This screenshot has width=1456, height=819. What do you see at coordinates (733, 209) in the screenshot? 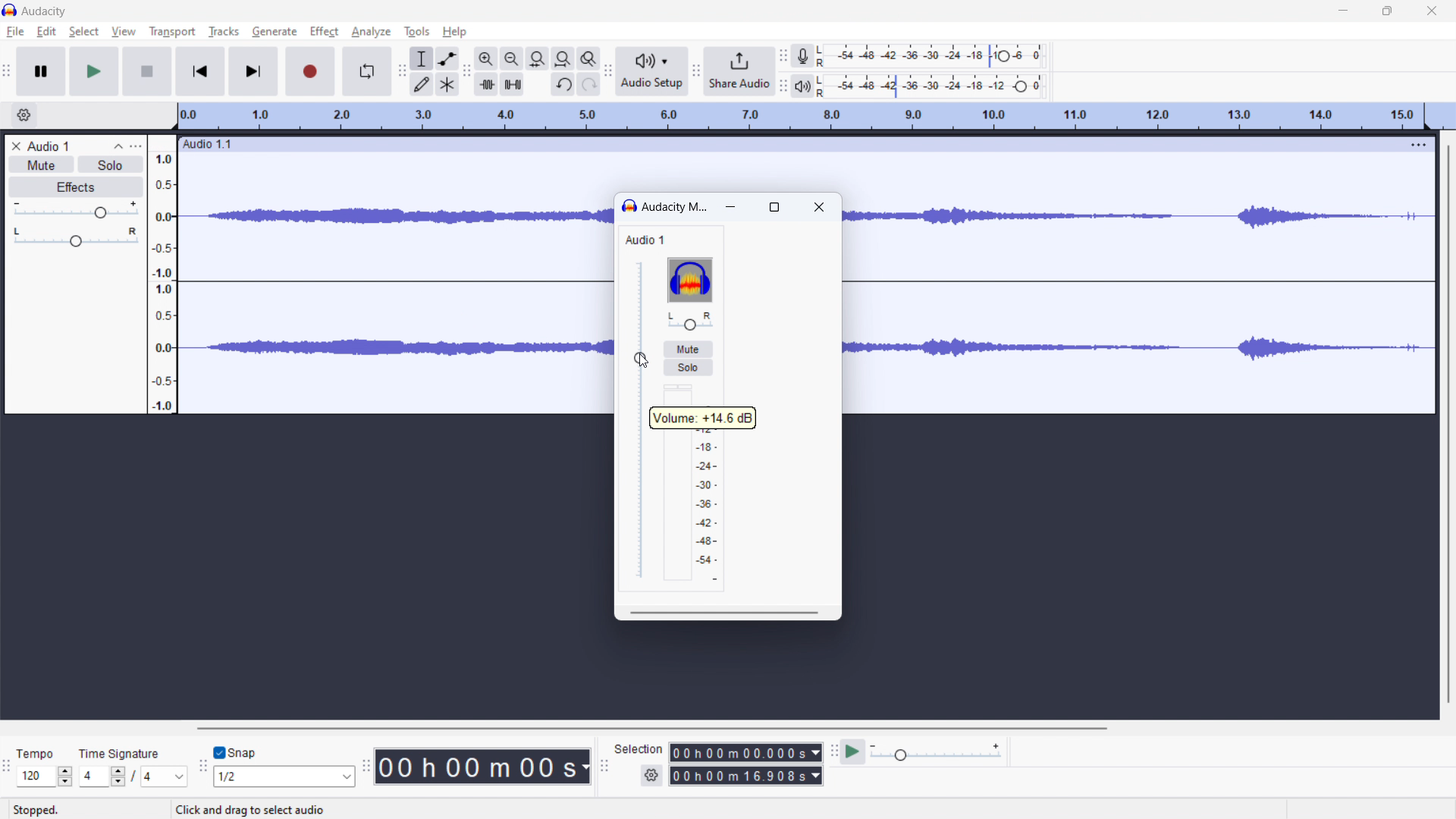
I see `minimize` at bounding box center [733, 209].